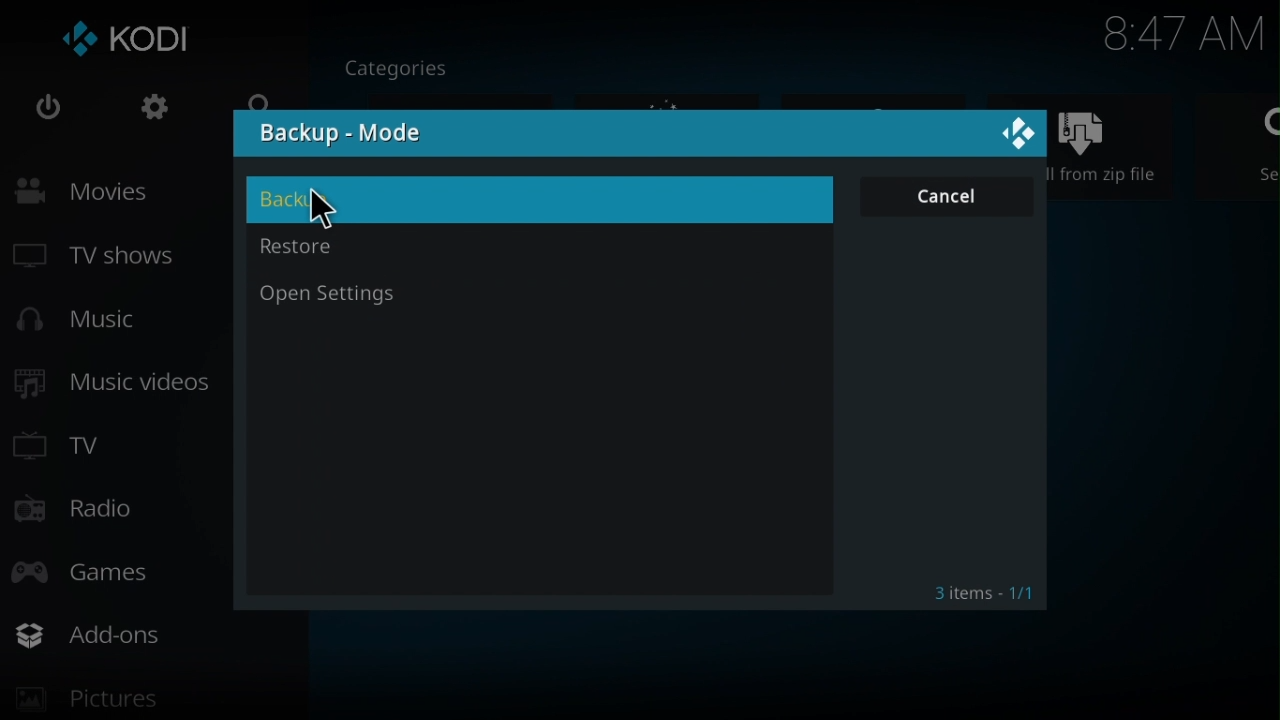 This screenshot has width=1280, height=720. I want to click on cursor, so click(323, 210).